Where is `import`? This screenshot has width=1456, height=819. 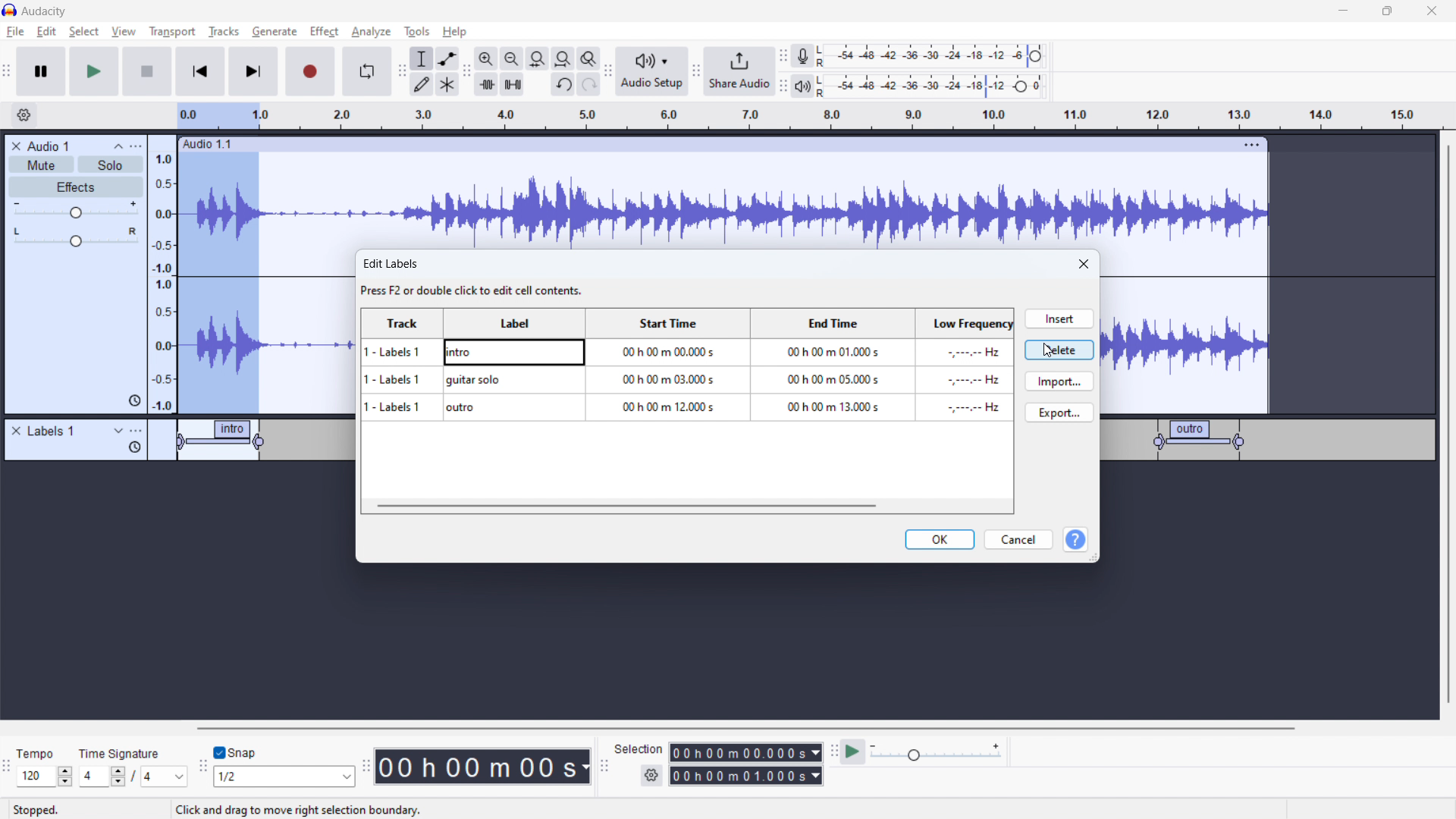 import is located at coordinates (1059, 381).